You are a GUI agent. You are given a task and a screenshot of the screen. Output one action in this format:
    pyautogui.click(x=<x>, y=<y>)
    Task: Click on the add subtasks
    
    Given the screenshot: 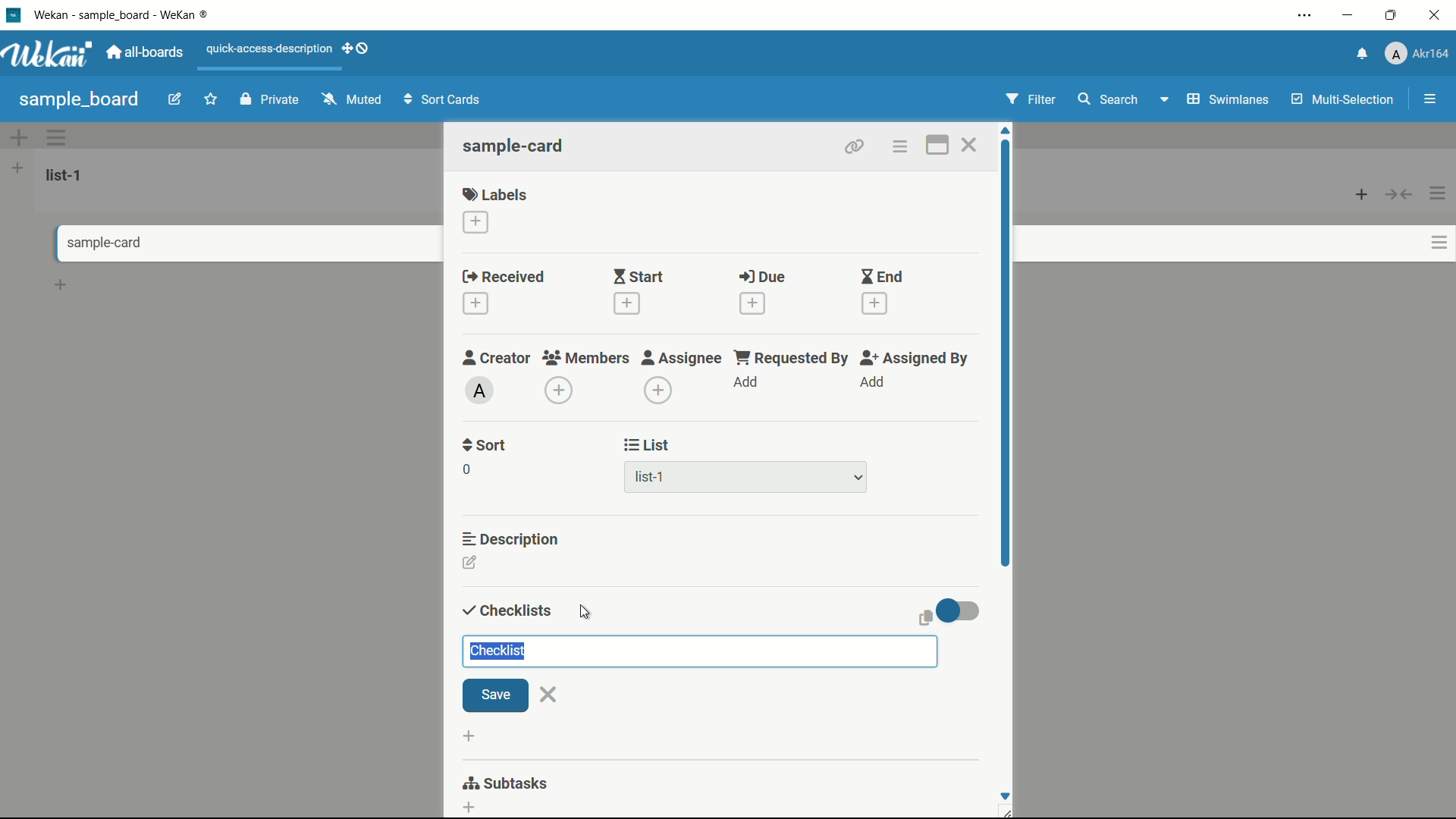 What is the action you would take?
    pyautogui.click(x=469, y=804)
    